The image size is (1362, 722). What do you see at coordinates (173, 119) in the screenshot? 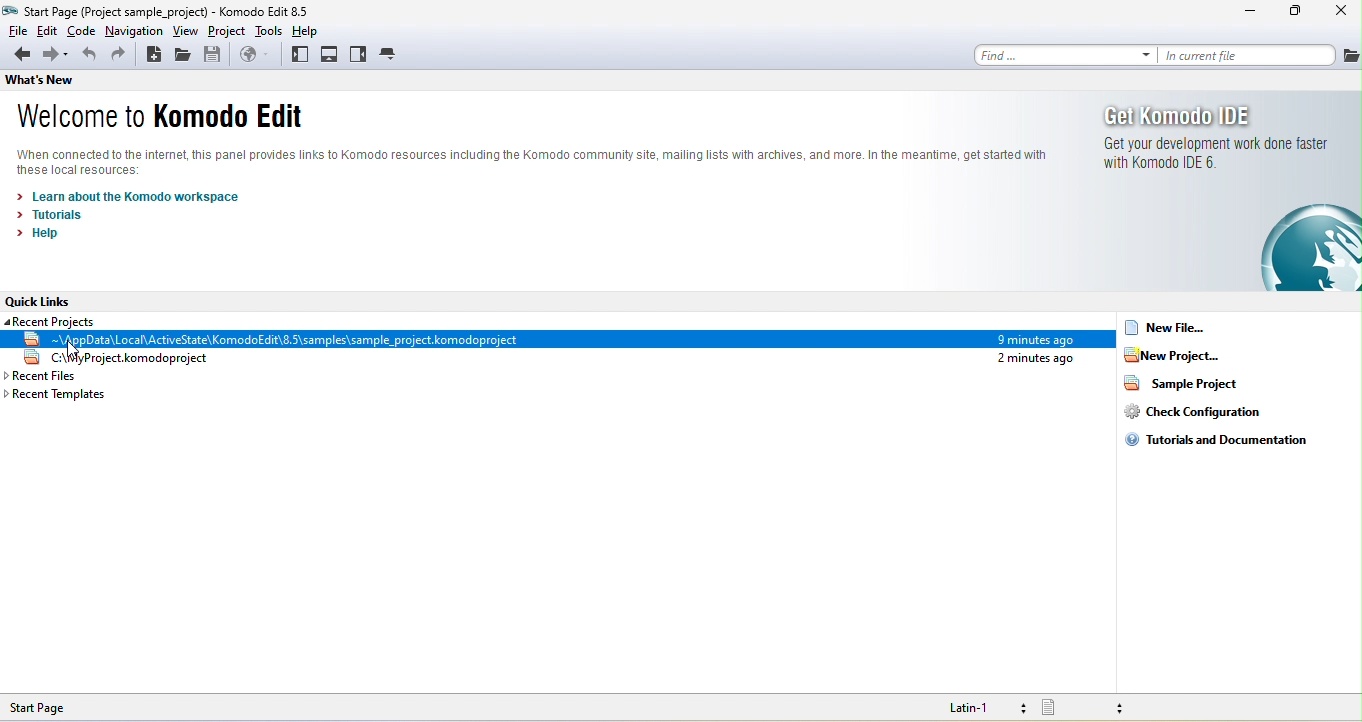
I see `welcome comodo edit` at bounding box center [173, 119].